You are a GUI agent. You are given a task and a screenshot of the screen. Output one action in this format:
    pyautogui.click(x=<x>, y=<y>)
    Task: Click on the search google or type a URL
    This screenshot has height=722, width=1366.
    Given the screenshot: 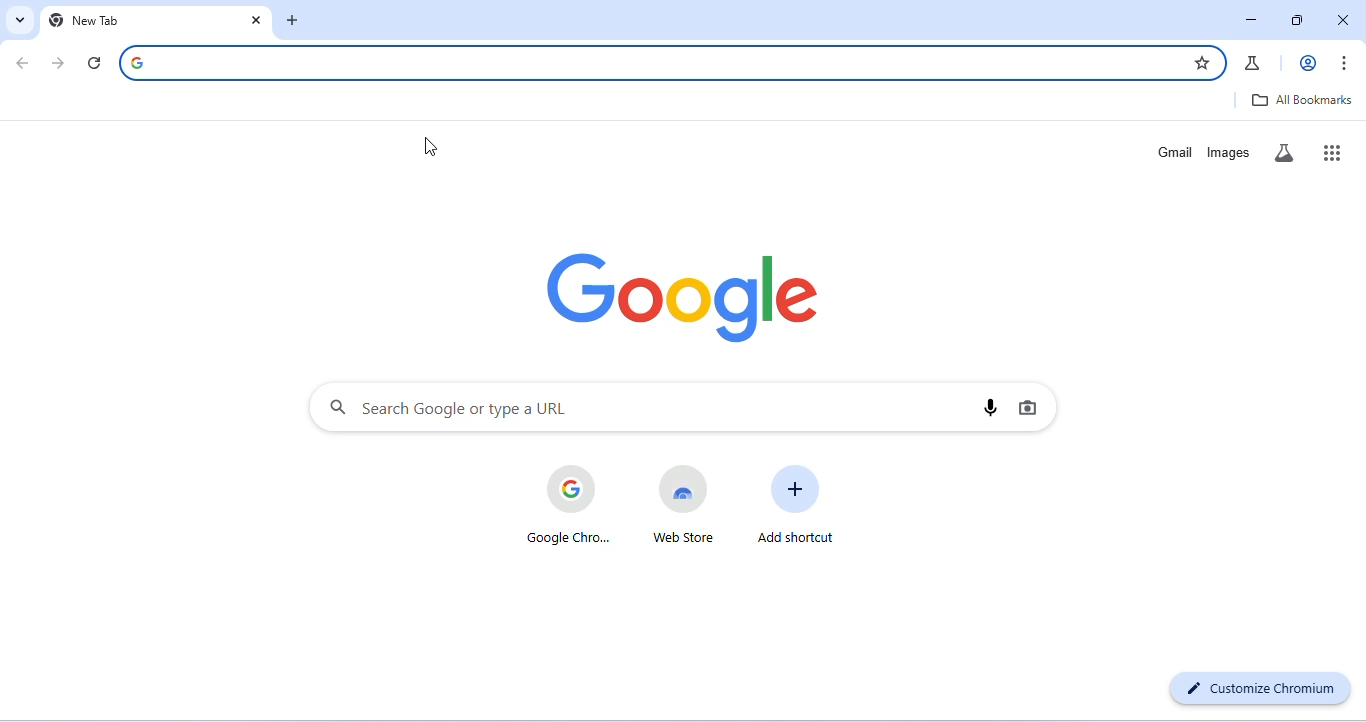 What is the action you would take?
    pyautogui.click(x=448, y=407)
    